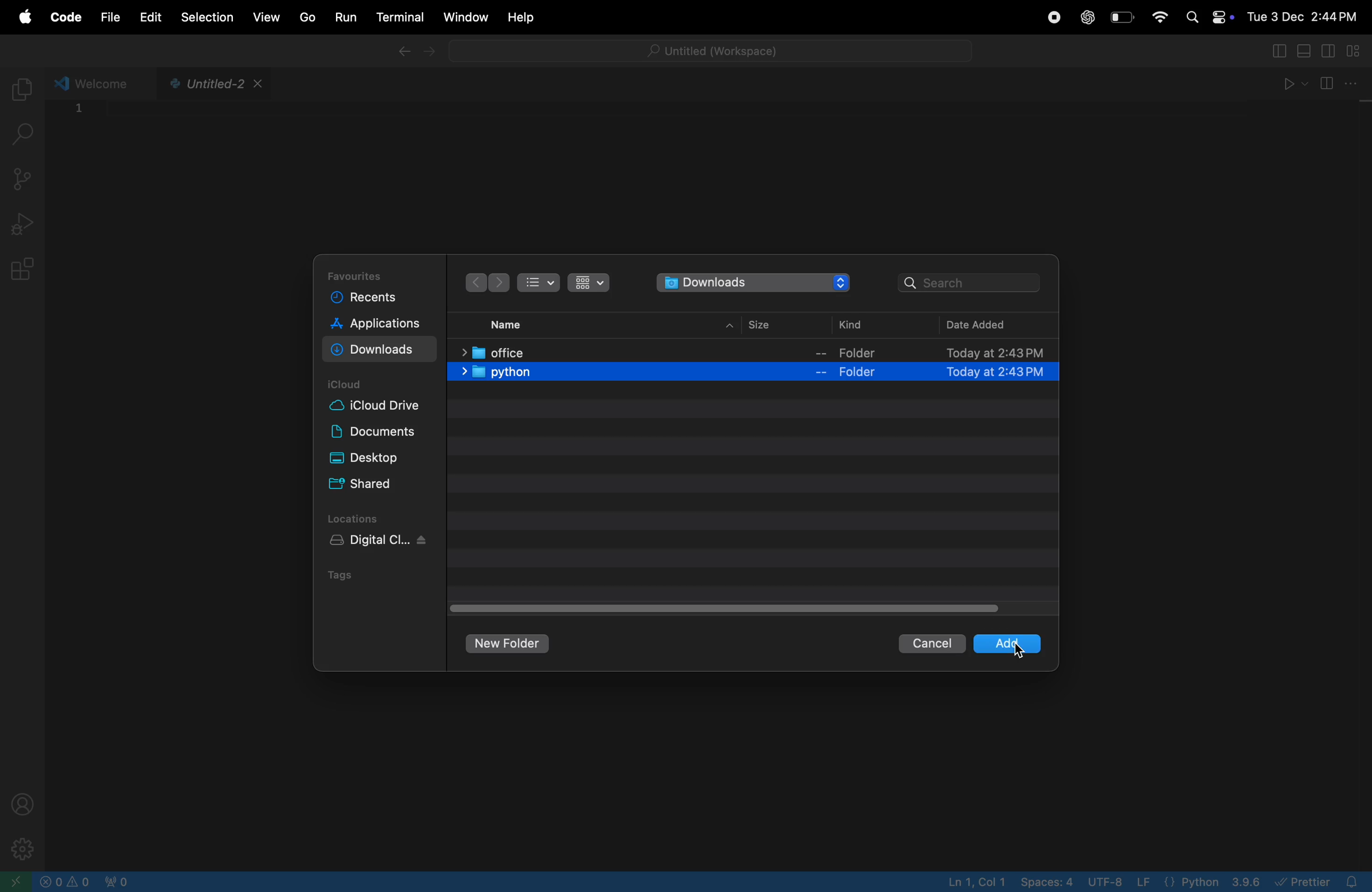 The height and width of the screenshot is (892, 1372). I want to click on wifi, so click(1159, 18).